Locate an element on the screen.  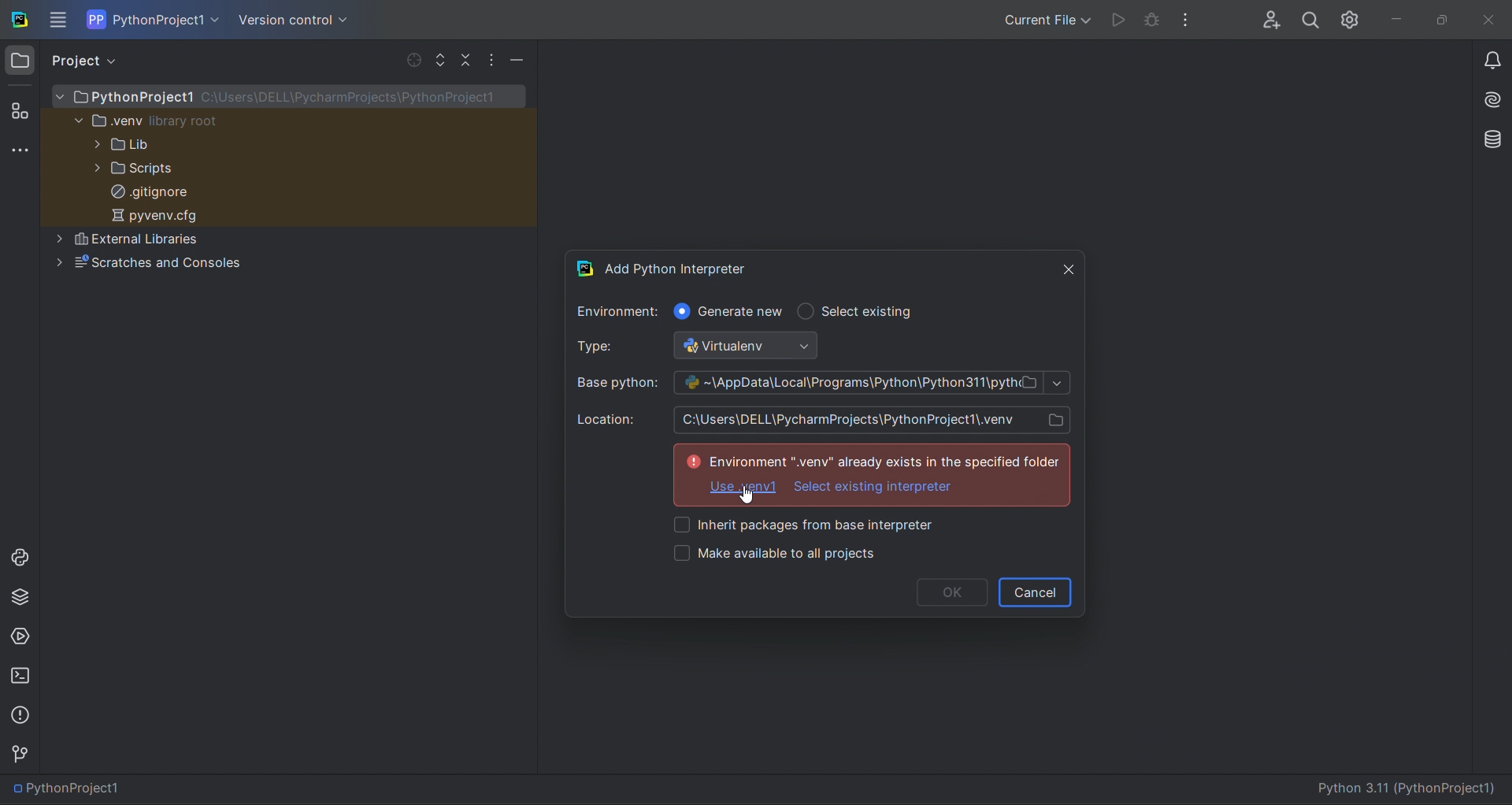
debug is located at coordinates (1152, 22).